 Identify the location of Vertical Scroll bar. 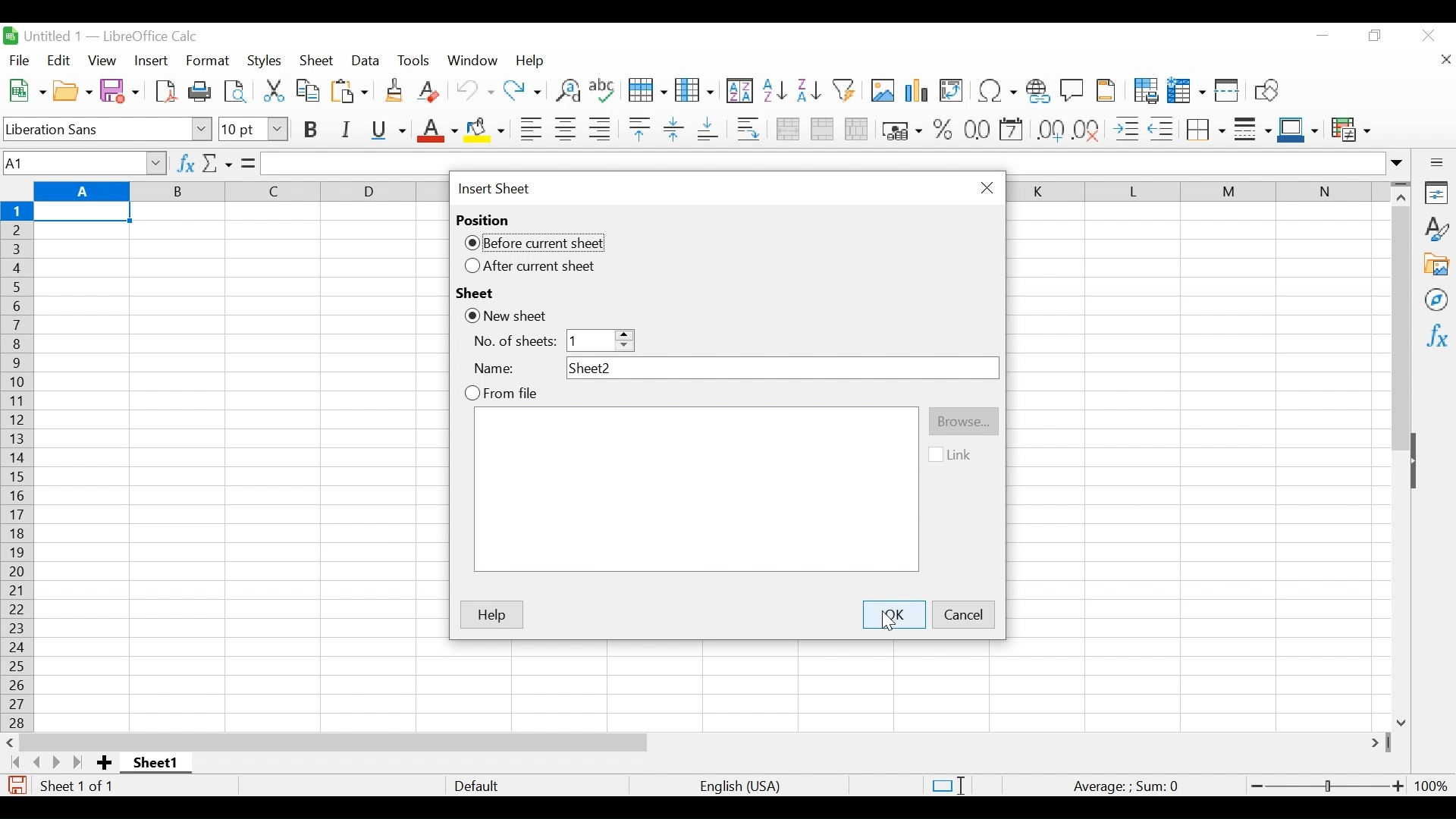
(1401, 330).